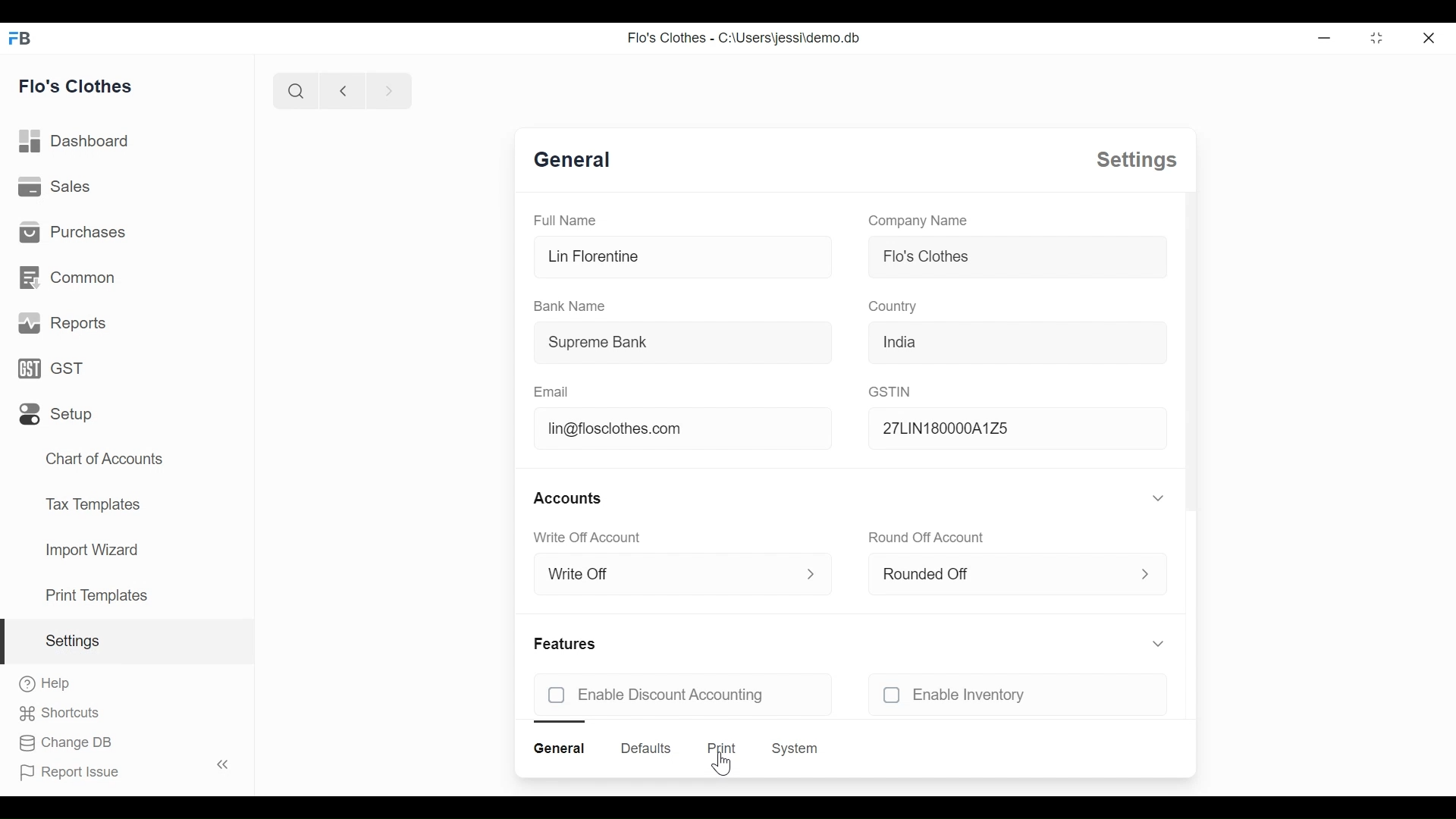 The width and height of the screenshot is (1456, 819). I want to click on search, so click(295, 90).